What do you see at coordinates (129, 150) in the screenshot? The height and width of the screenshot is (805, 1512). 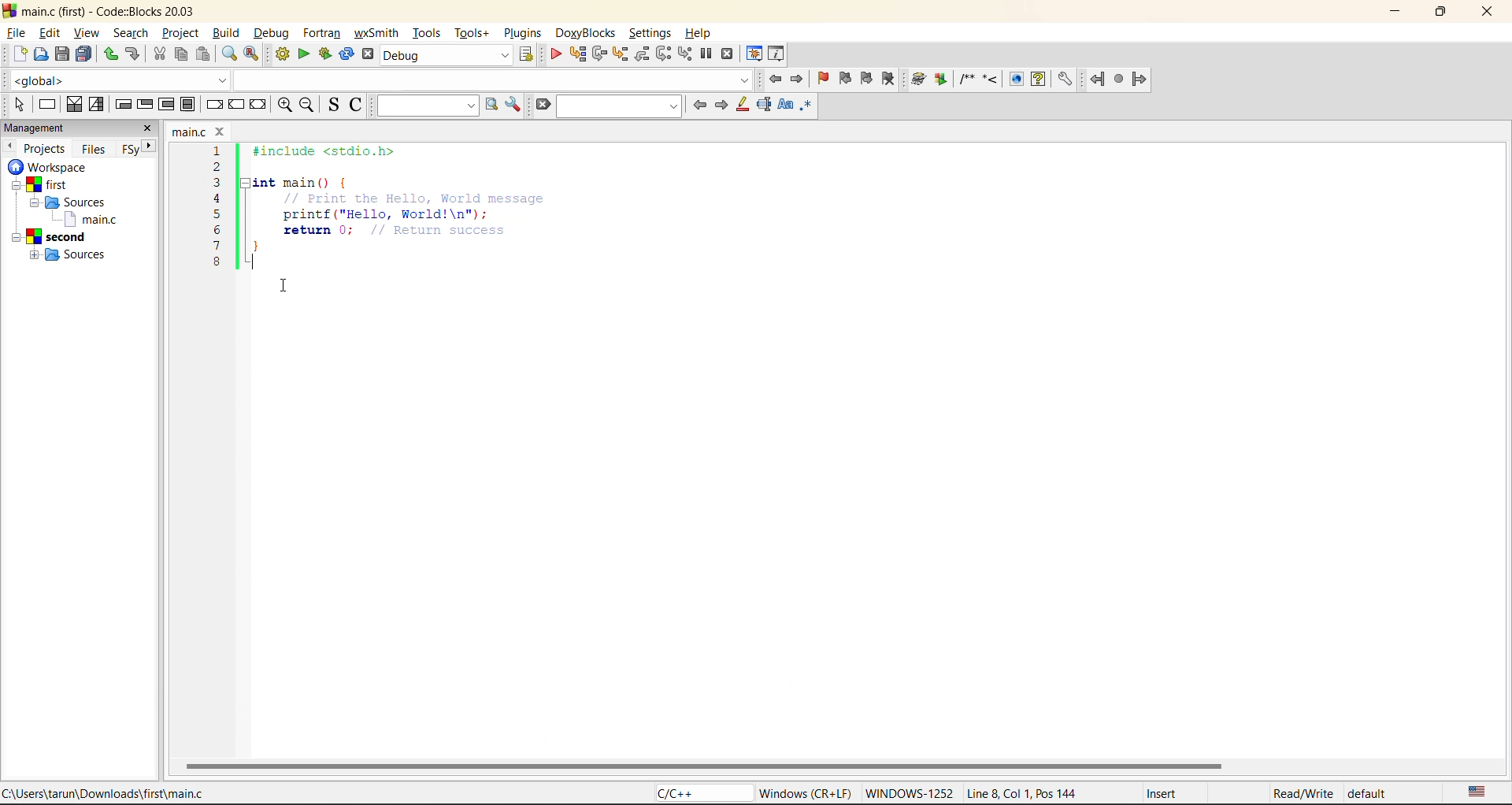 I see `FSY` at bounding box center [129, 150].